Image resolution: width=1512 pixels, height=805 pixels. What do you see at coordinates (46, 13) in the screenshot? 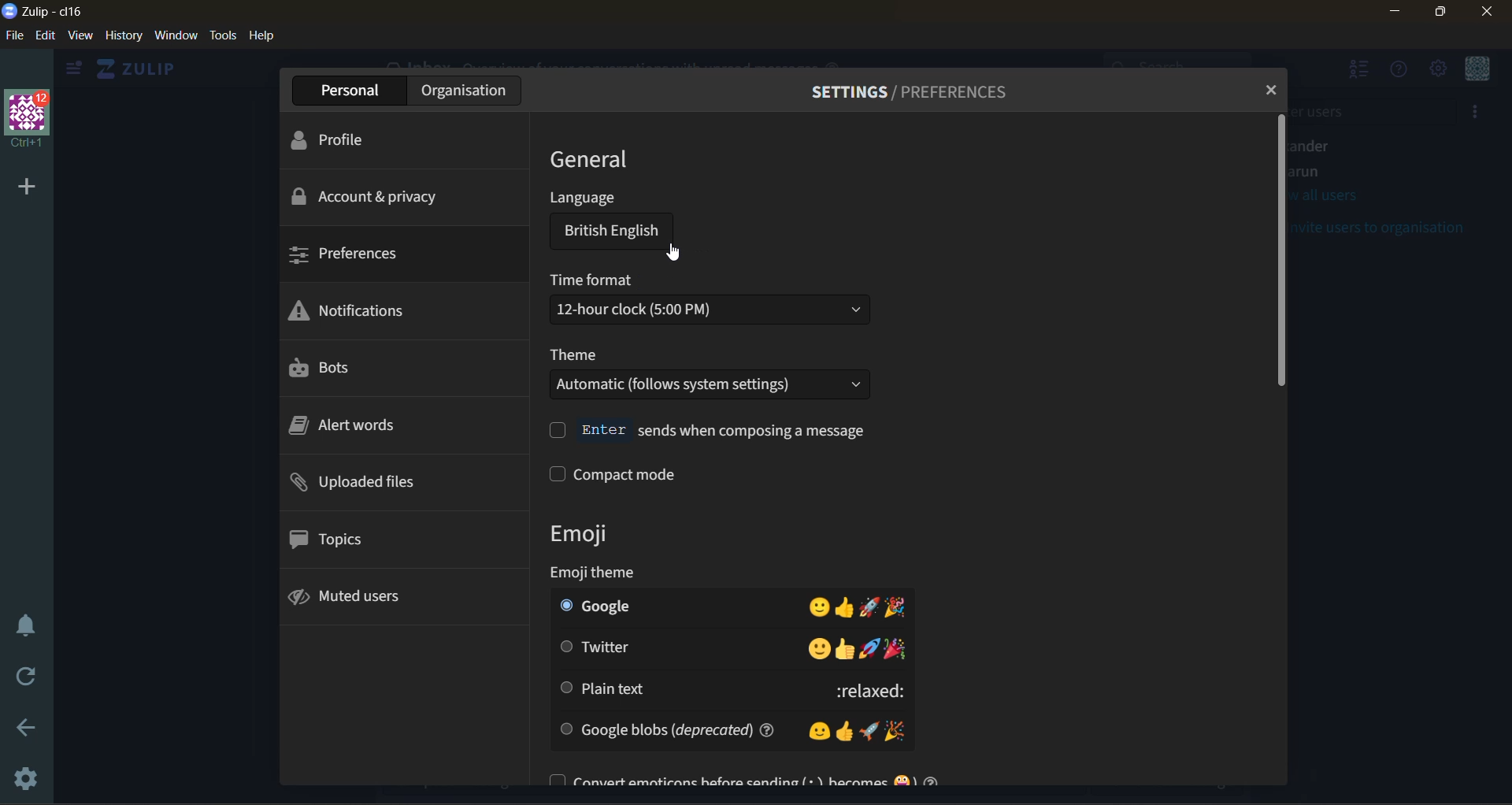
I see `app name and organisation name` at bounding box center [46, 13].